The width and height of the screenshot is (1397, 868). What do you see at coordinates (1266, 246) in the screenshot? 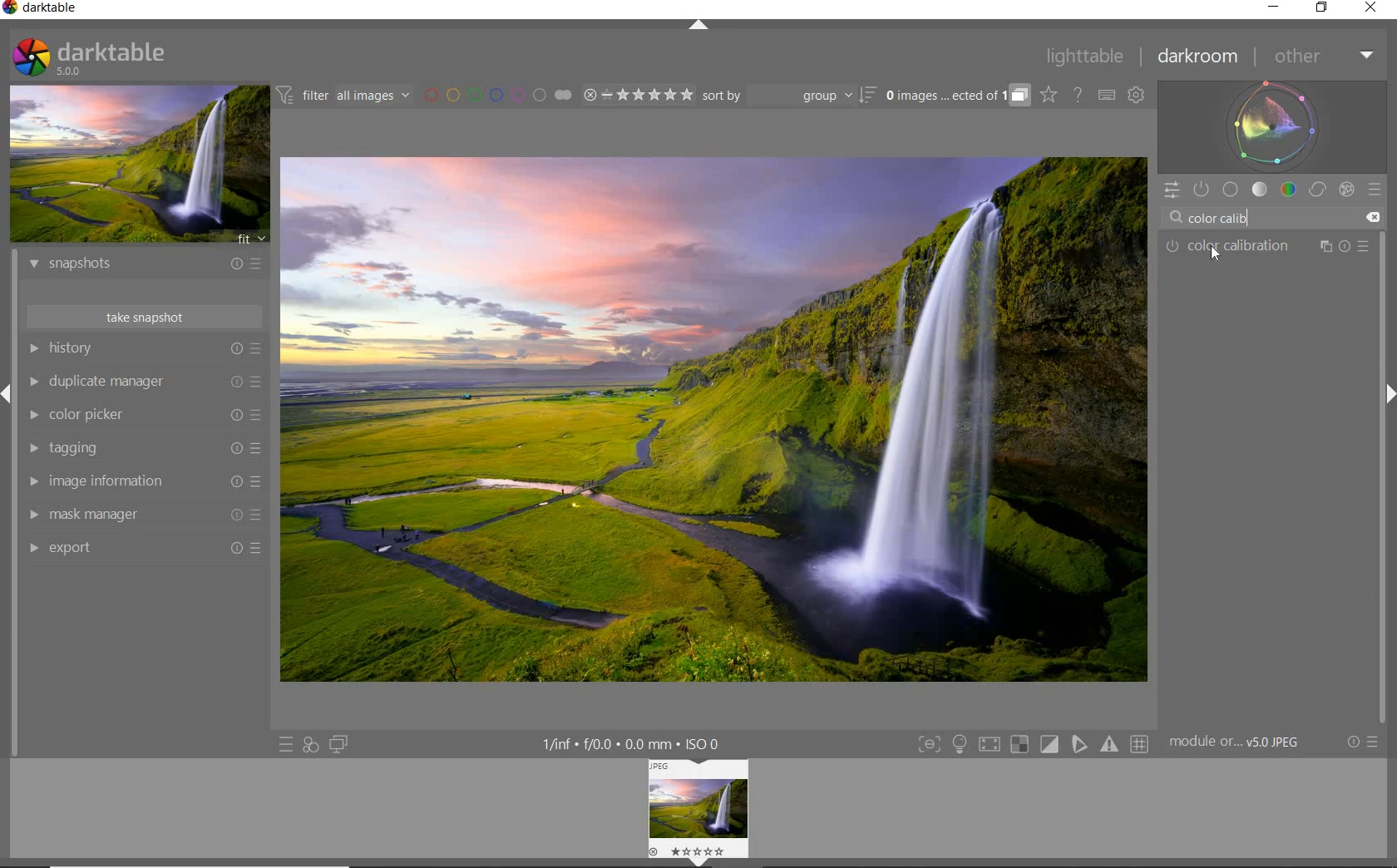
I see `COLOR CALIBRATION` at bounding box center [1266, 246].